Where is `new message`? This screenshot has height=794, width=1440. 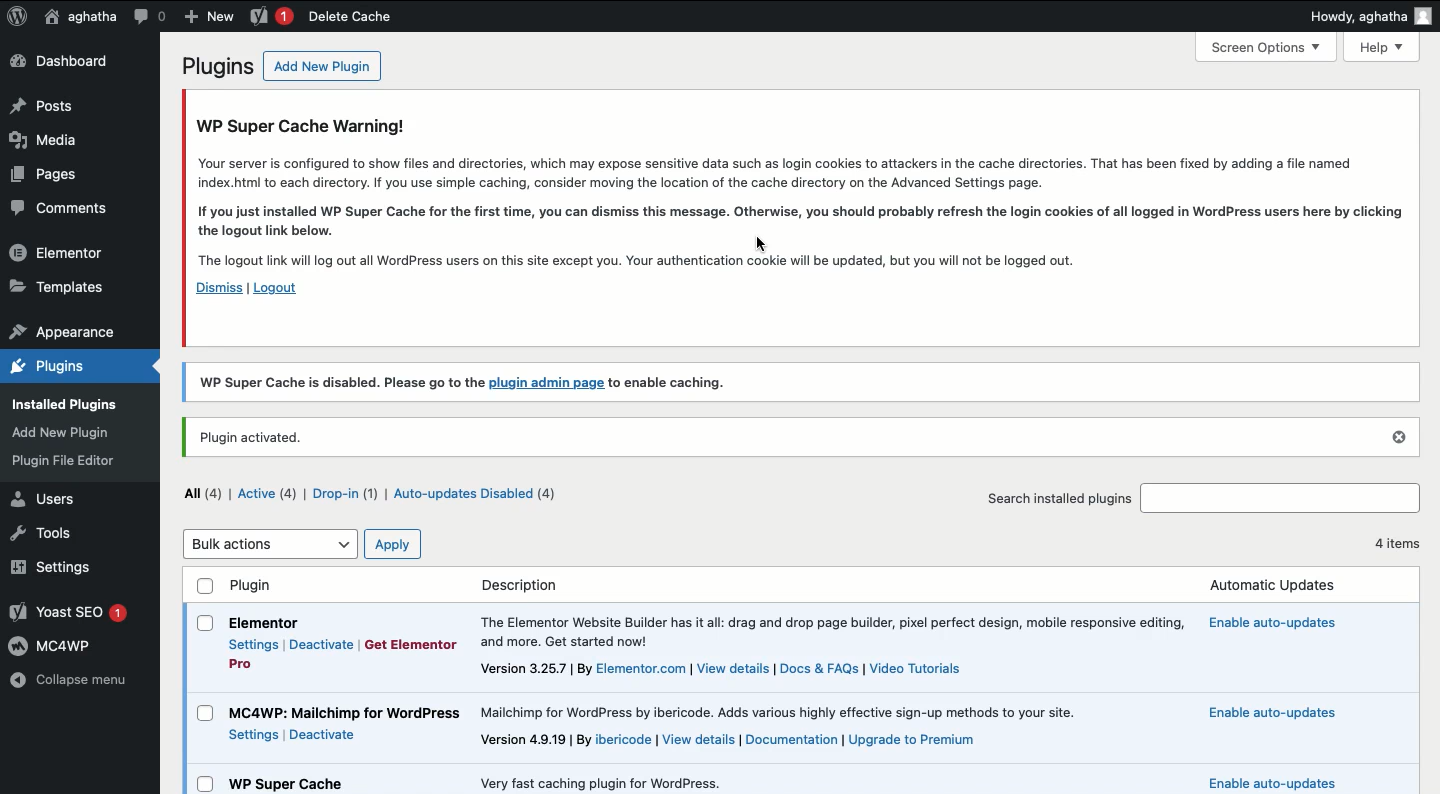
new message is located at coordinates (269, 17).